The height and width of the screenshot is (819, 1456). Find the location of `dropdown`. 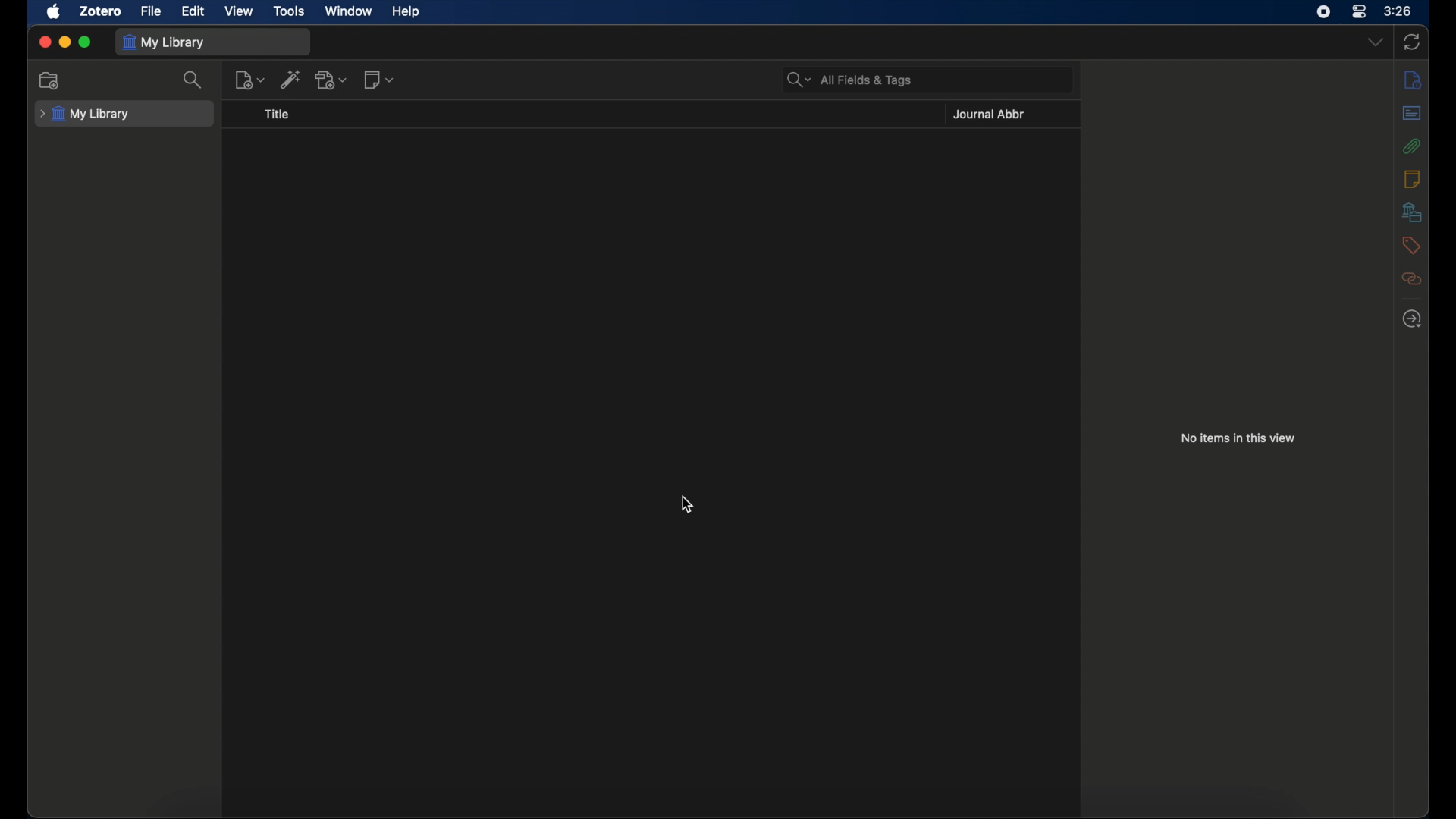

dropdown is located at coordinates (1374, 42).